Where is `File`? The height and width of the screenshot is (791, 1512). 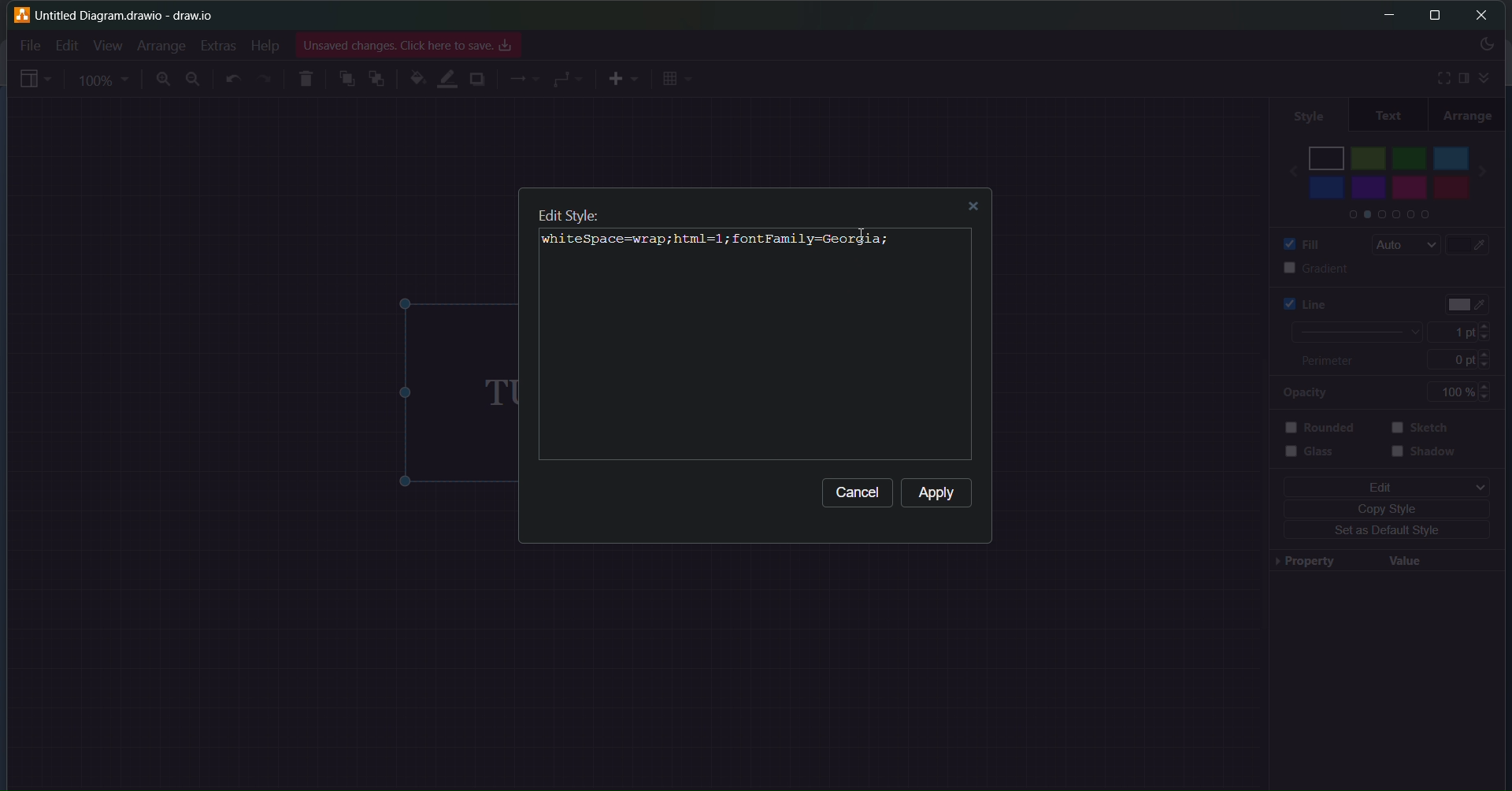
File is located at coordinates (30, 43).